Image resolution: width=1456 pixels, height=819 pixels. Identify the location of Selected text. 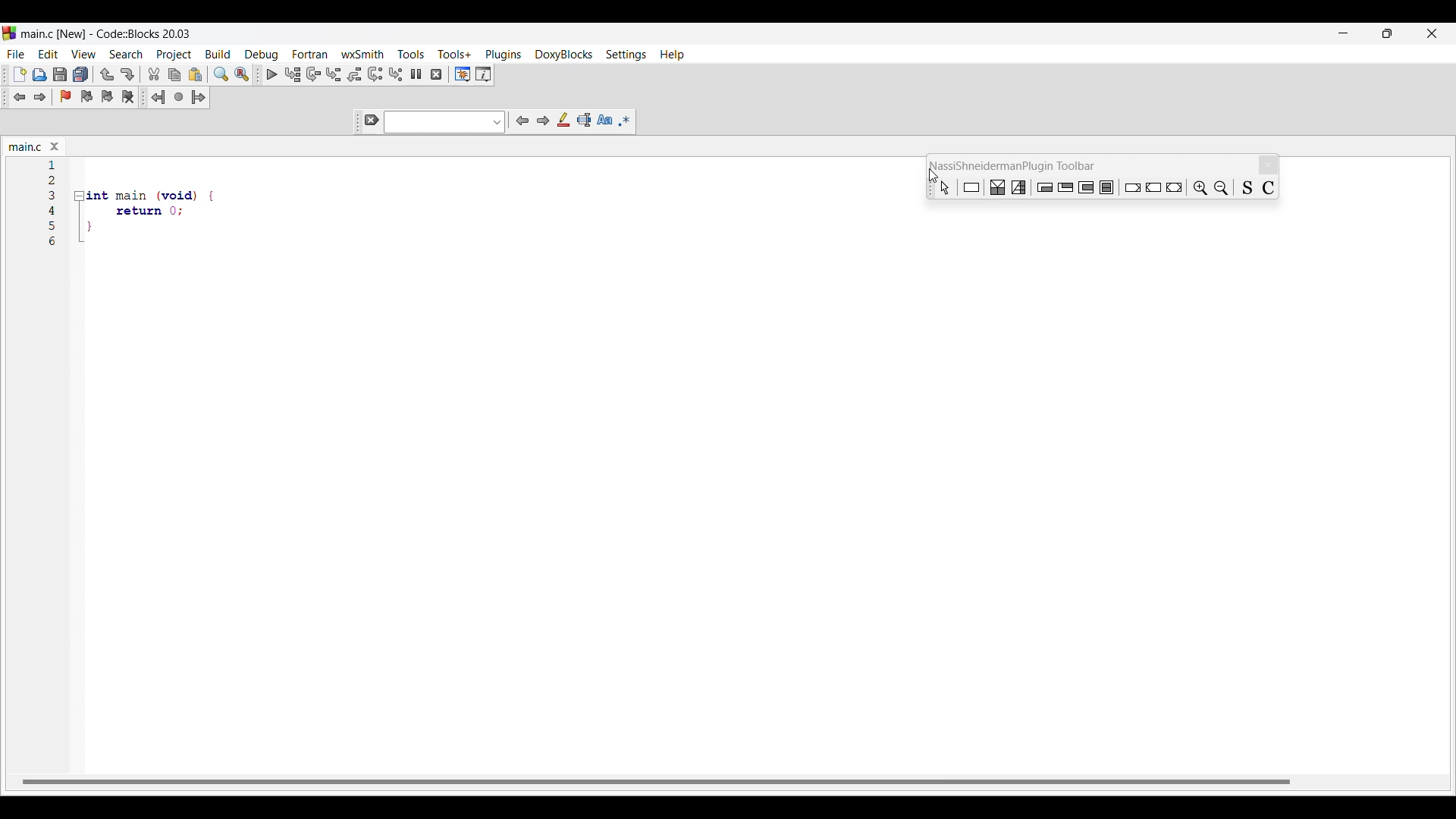
(584, 120).